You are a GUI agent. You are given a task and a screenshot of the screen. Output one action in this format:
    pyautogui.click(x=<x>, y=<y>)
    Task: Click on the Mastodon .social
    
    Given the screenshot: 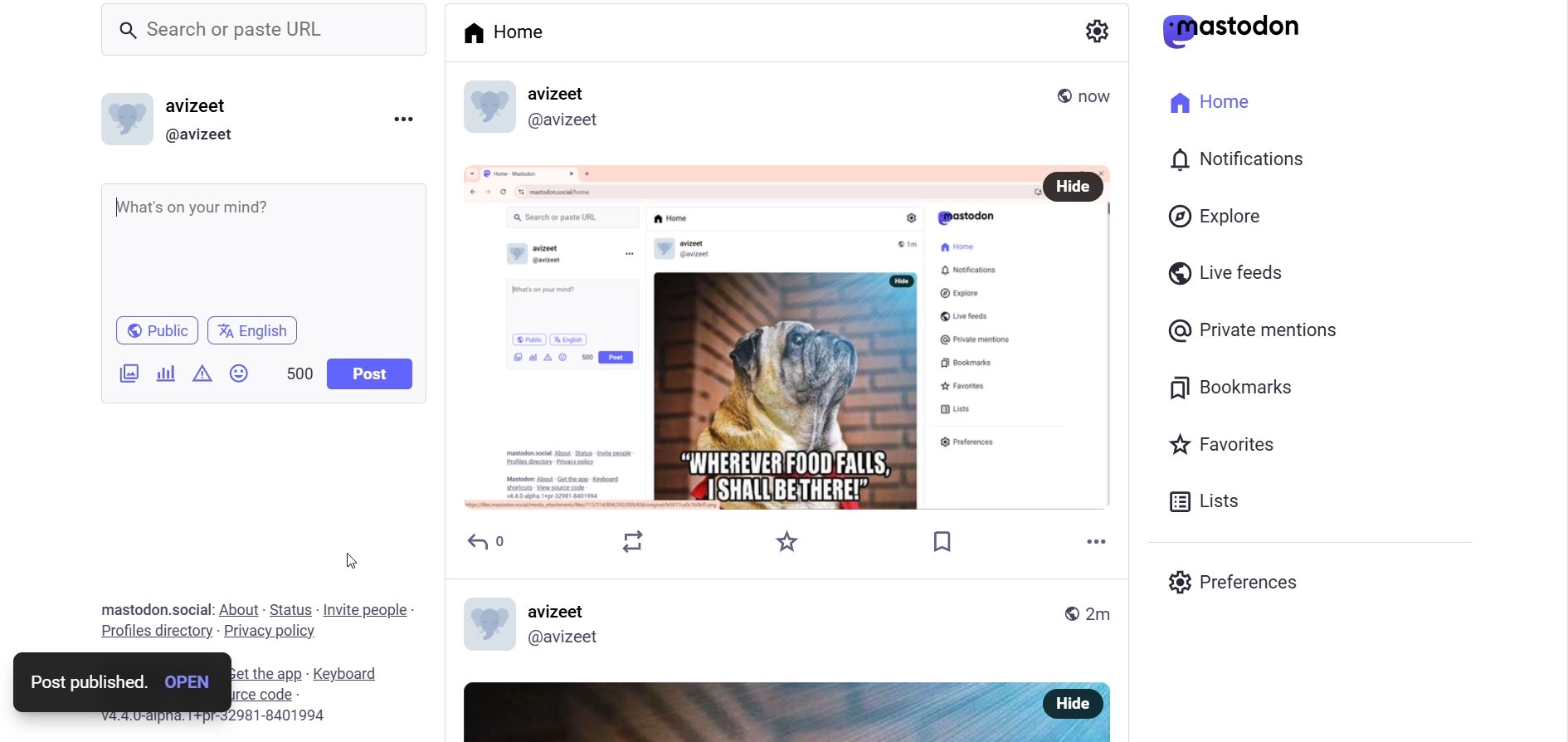 What is the action you would take?
    pyautogui.click(x=131, y=609)
    